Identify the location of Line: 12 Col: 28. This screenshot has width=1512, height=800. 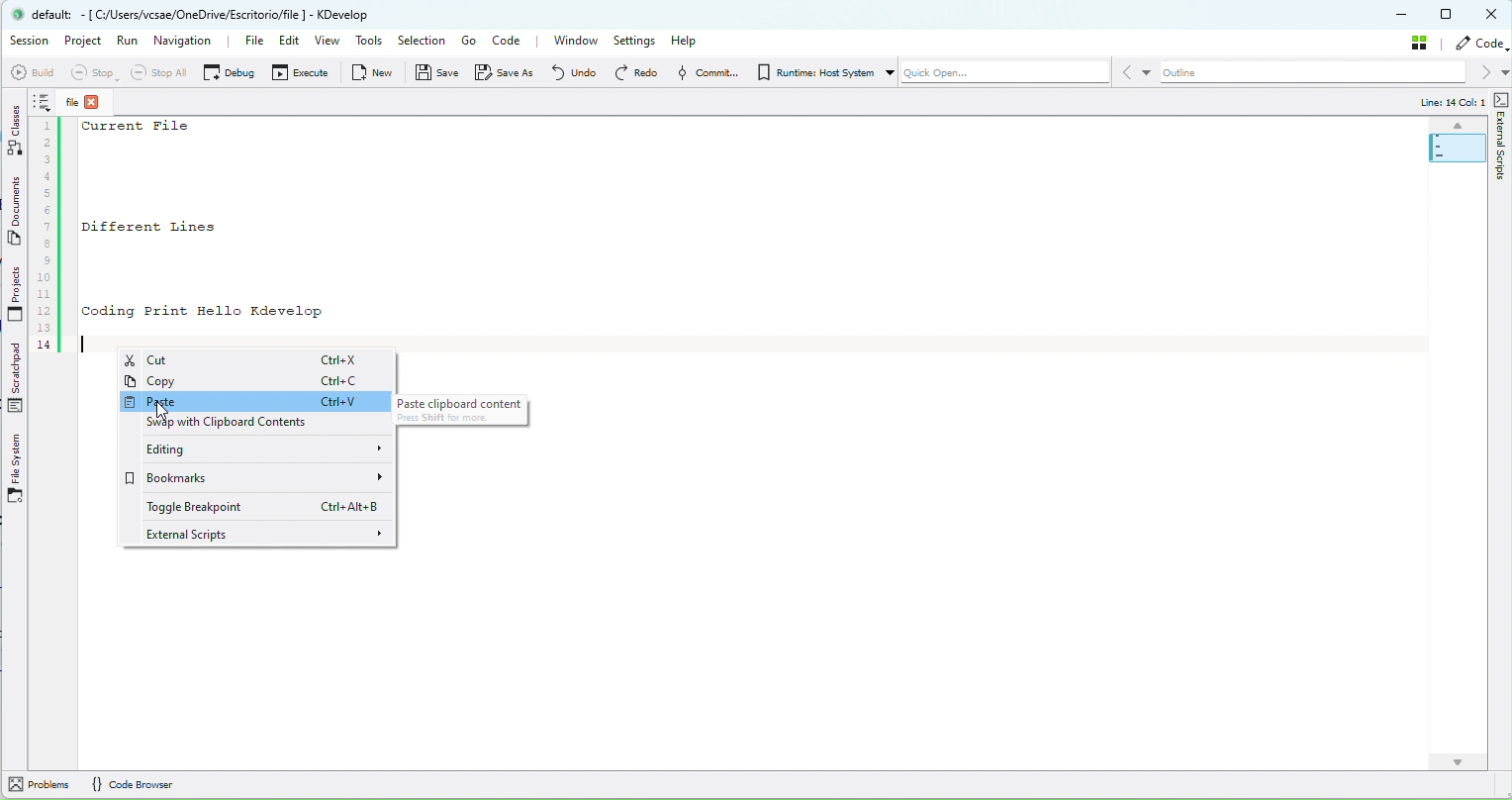
(1441, 103).